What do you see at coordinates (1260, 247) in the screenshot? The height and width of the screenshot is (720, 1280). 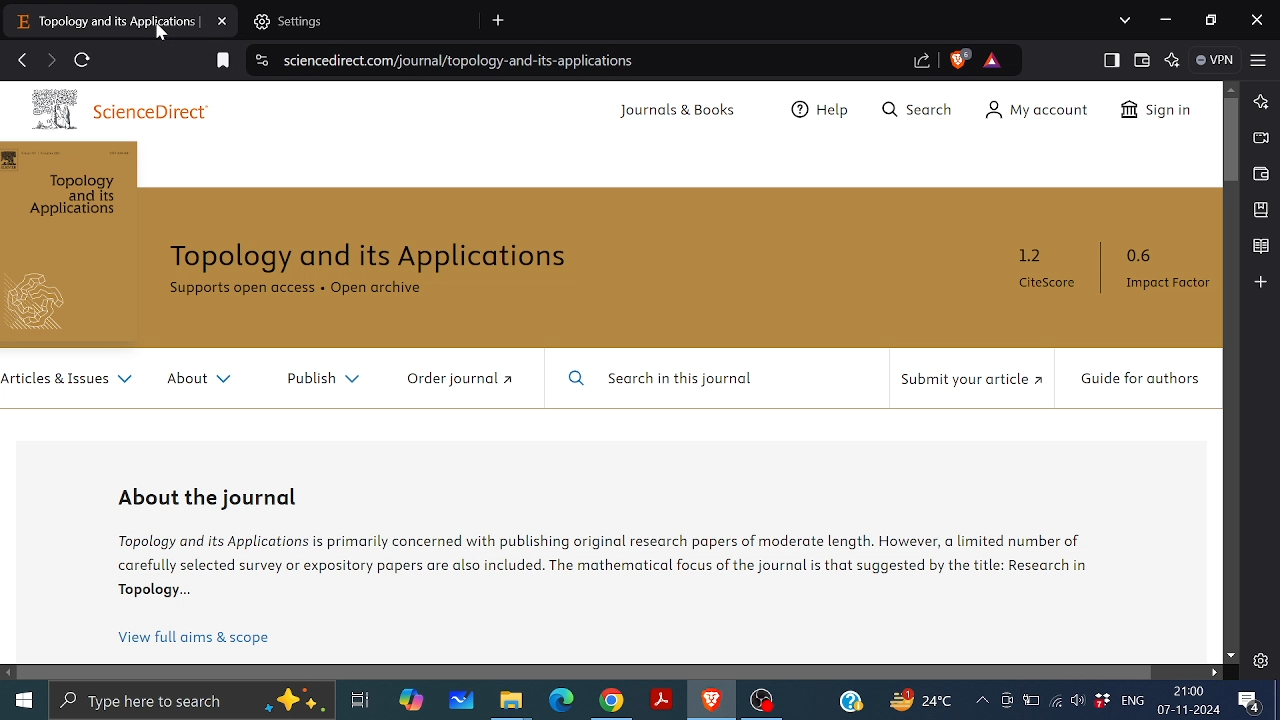 I see `Reading list` at bounding box center [1260, 247].